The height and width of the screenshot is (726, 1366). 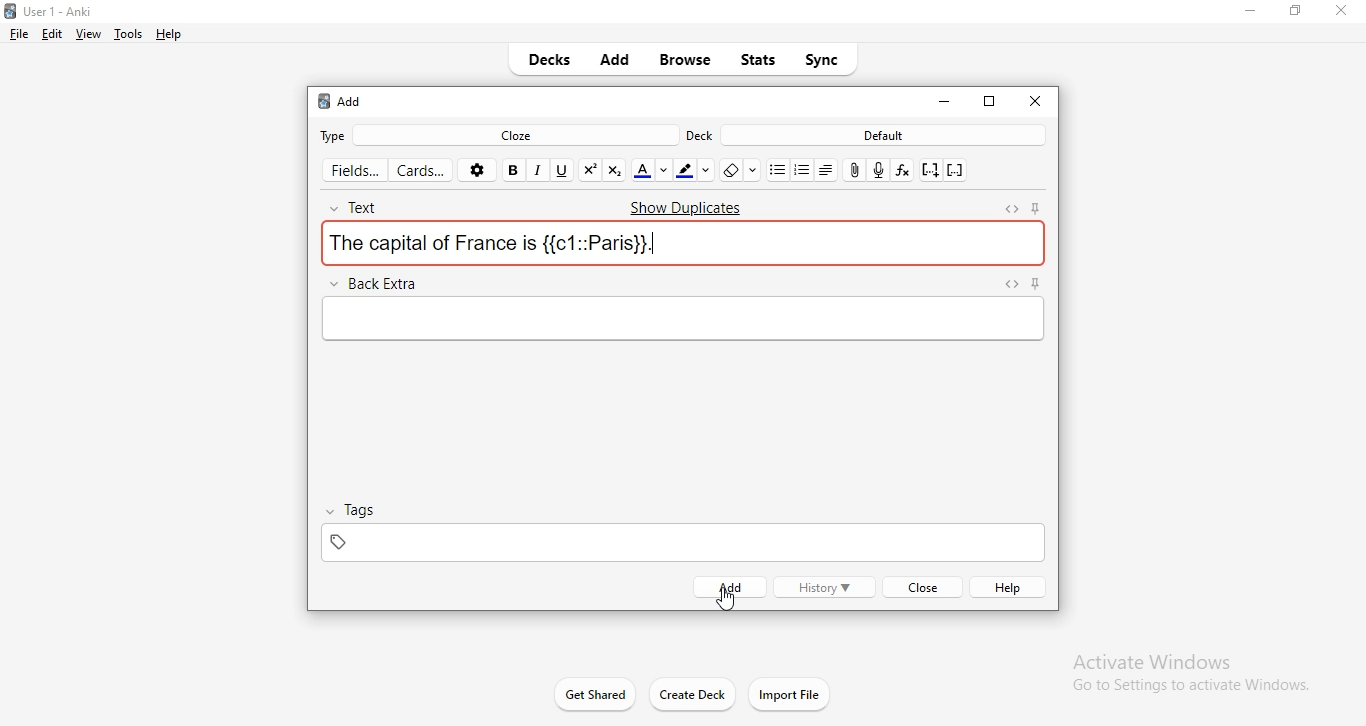 What do you see at coordinates (760, 58) in the screenshot?
I see `stats` at bounding box center [760, 58].